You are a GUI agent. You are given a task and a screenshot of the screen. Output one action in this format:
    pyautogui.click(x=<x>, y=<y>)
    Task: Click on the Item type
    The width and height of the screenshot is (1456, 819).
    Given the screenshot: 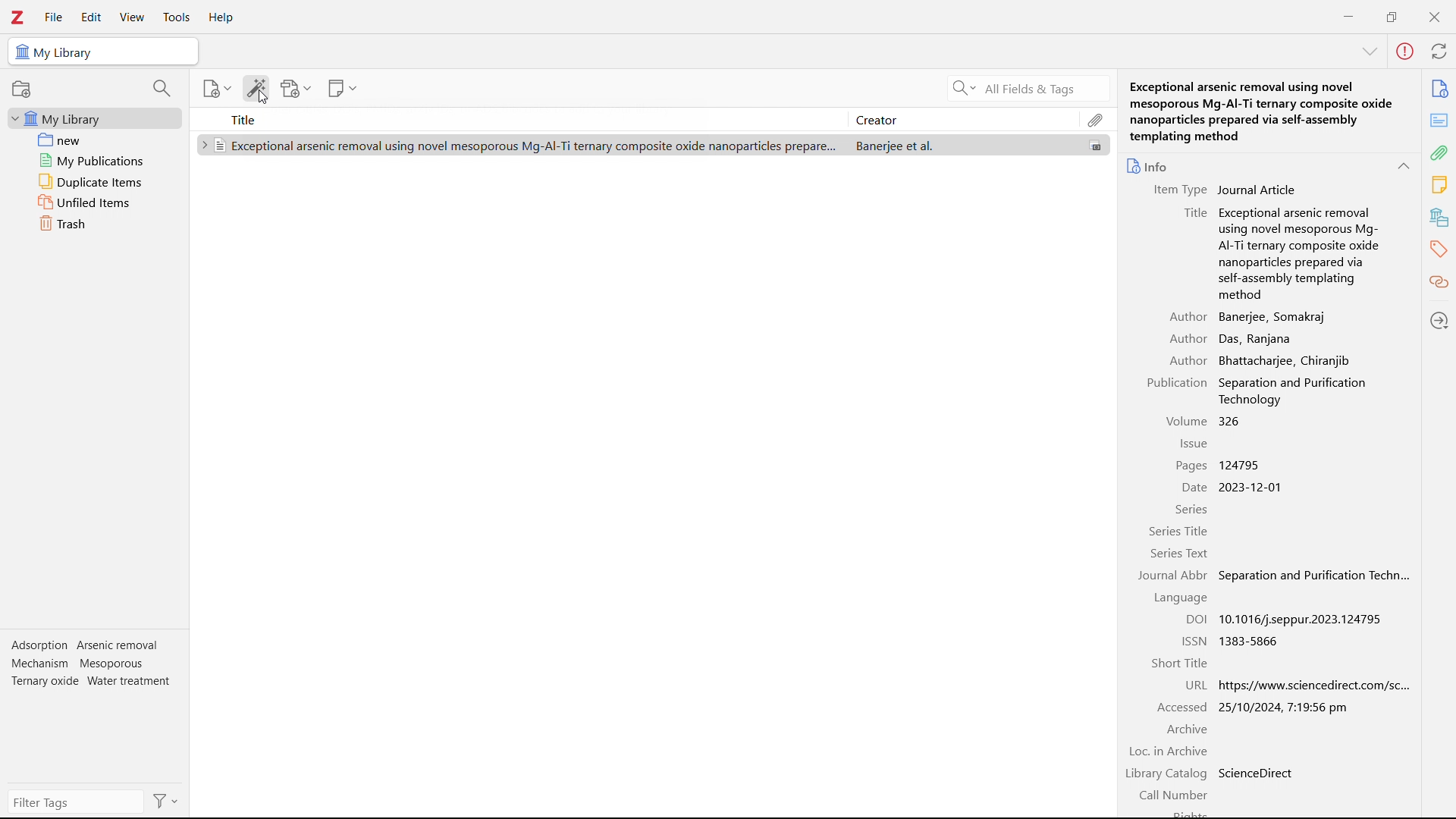 What is the action you would take?
    pyautogui.click(x=1175, y=190)
    